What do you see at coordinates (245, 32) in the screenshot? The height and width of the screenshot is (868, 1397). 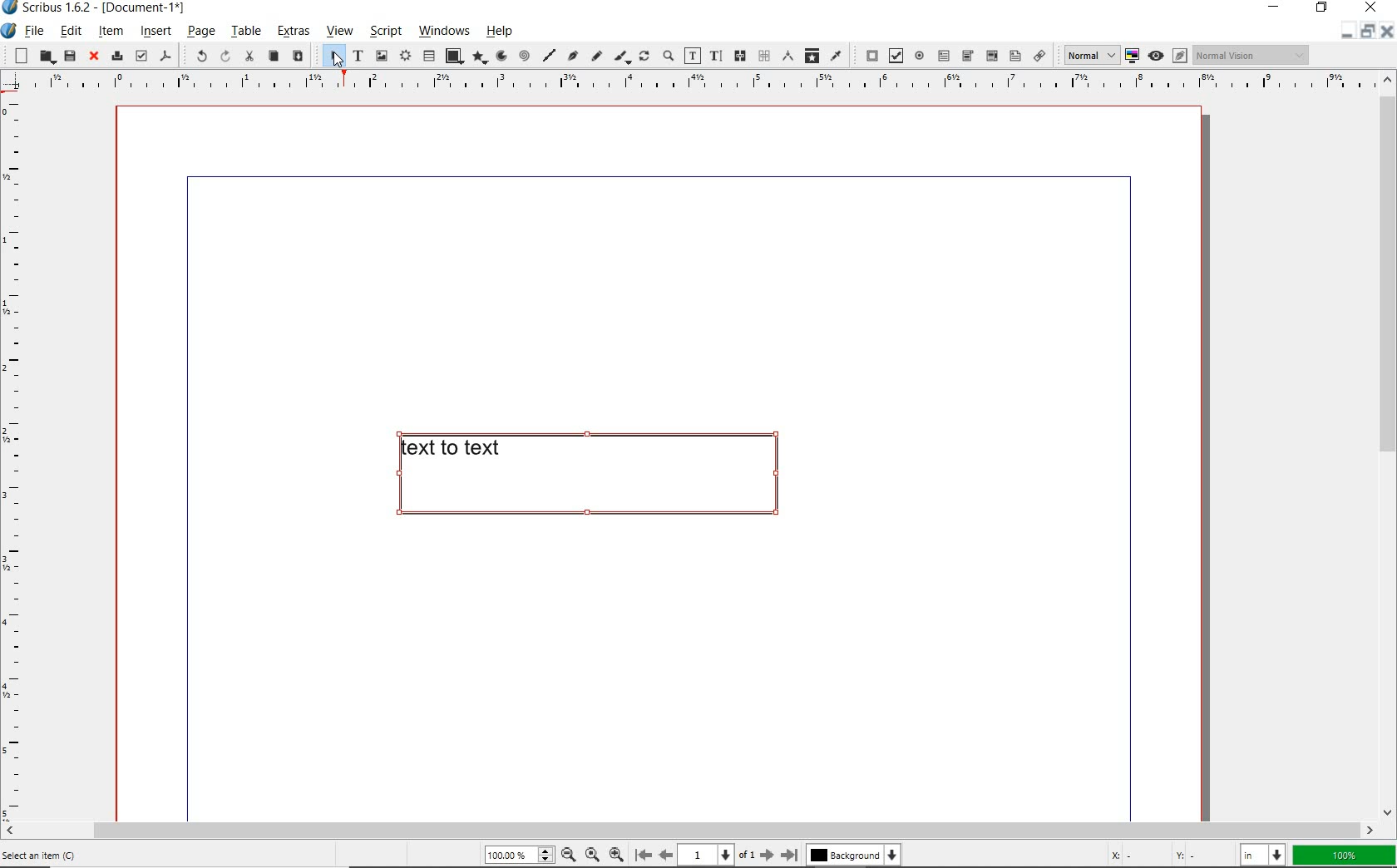 I see `table` at bounding box center [245, 32].